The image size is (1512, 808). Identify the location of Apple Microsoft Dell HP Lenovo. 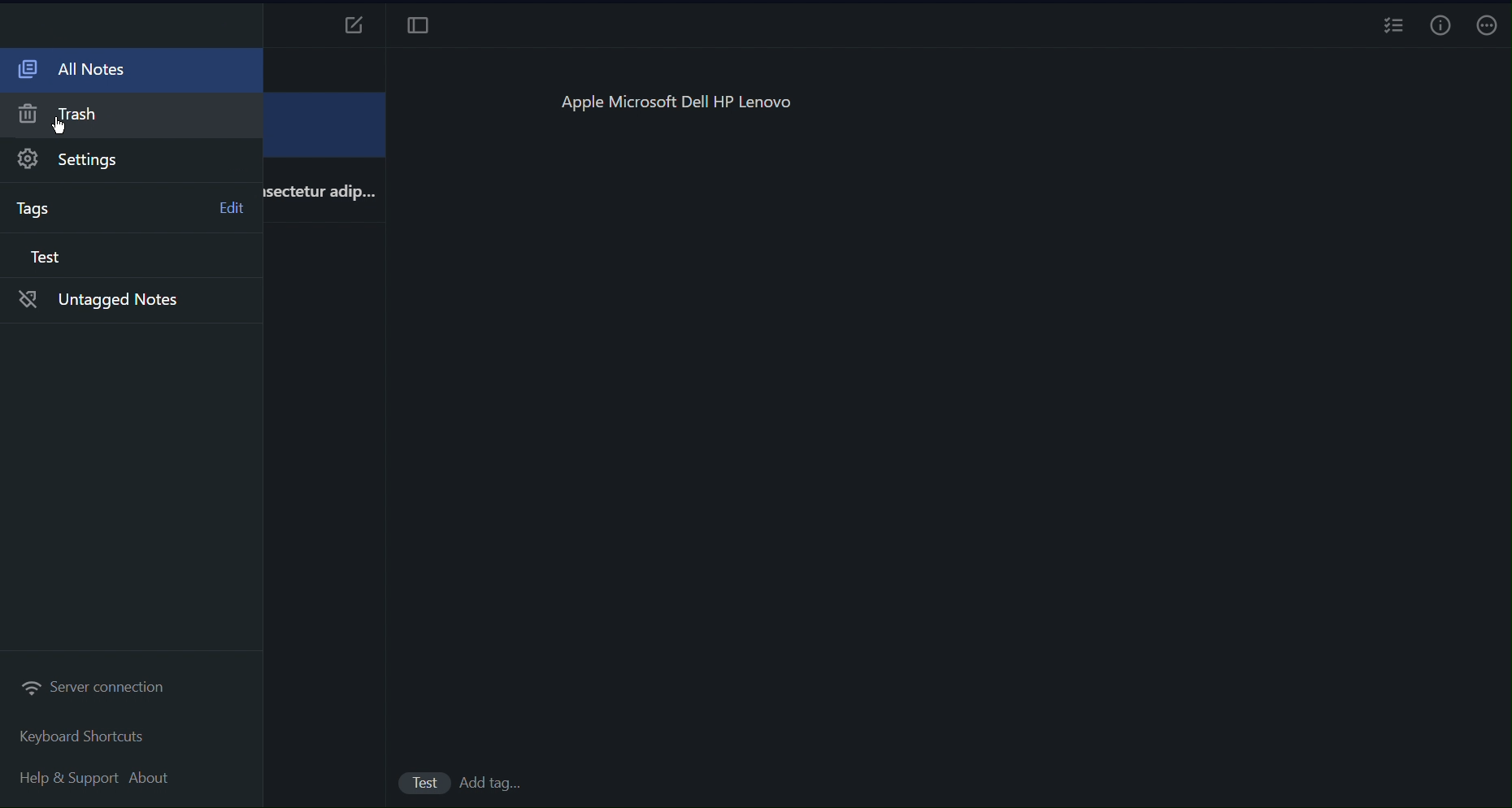
(690, 105).